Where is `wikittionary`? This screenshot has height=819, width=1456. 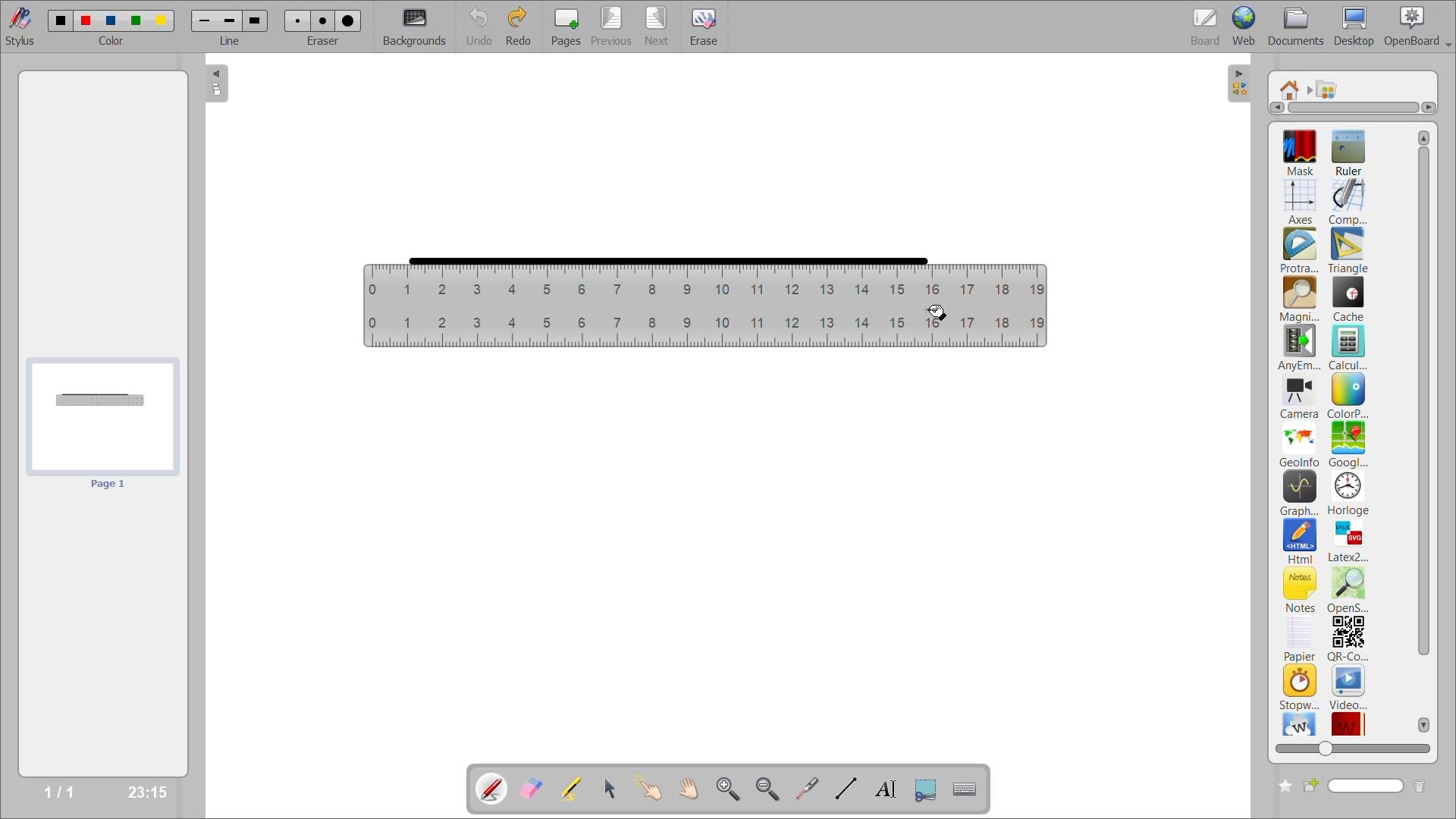 wikittionary is located at coordinates (1349, 722).